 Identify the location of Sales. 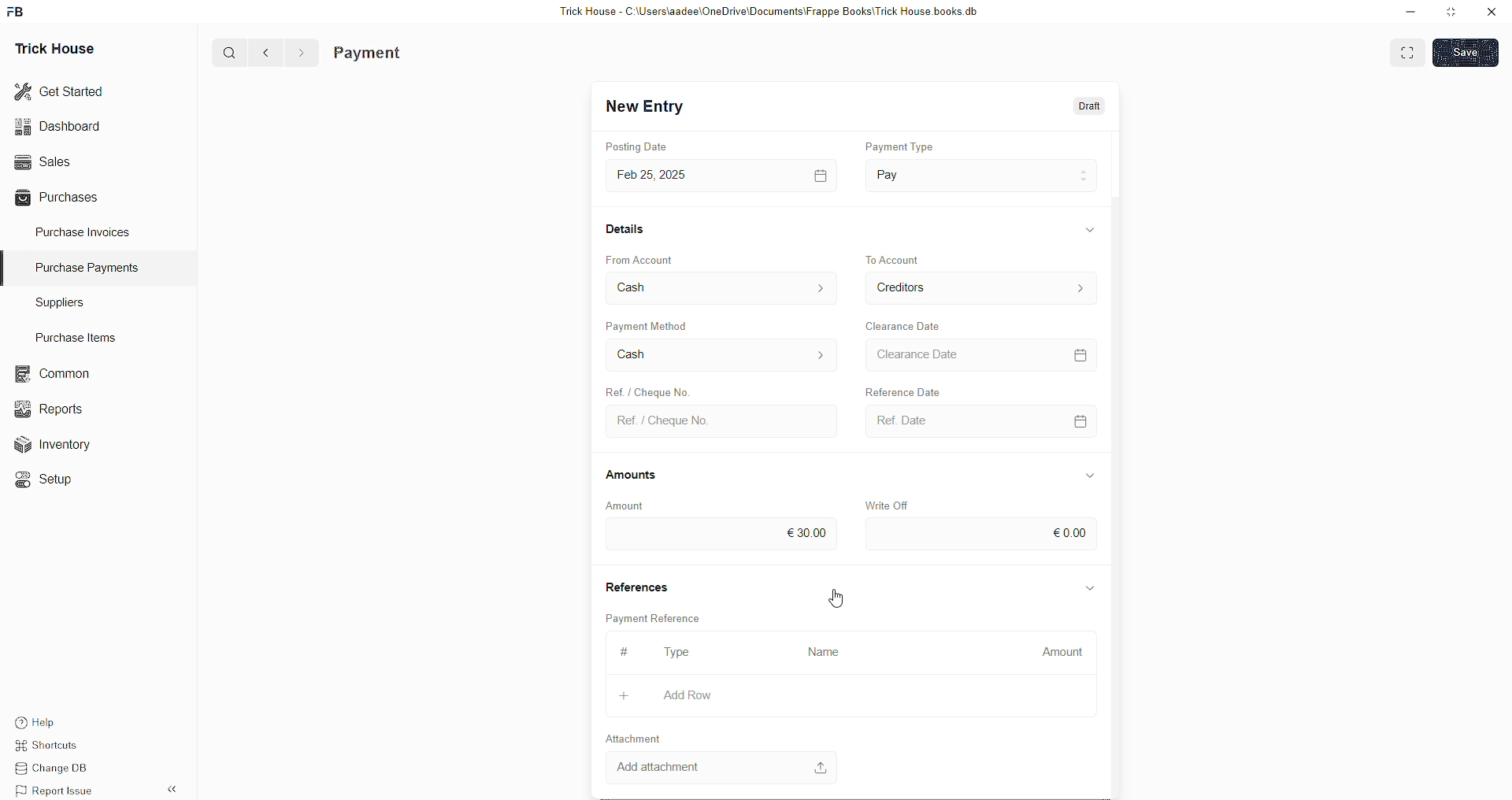
(41, 160).